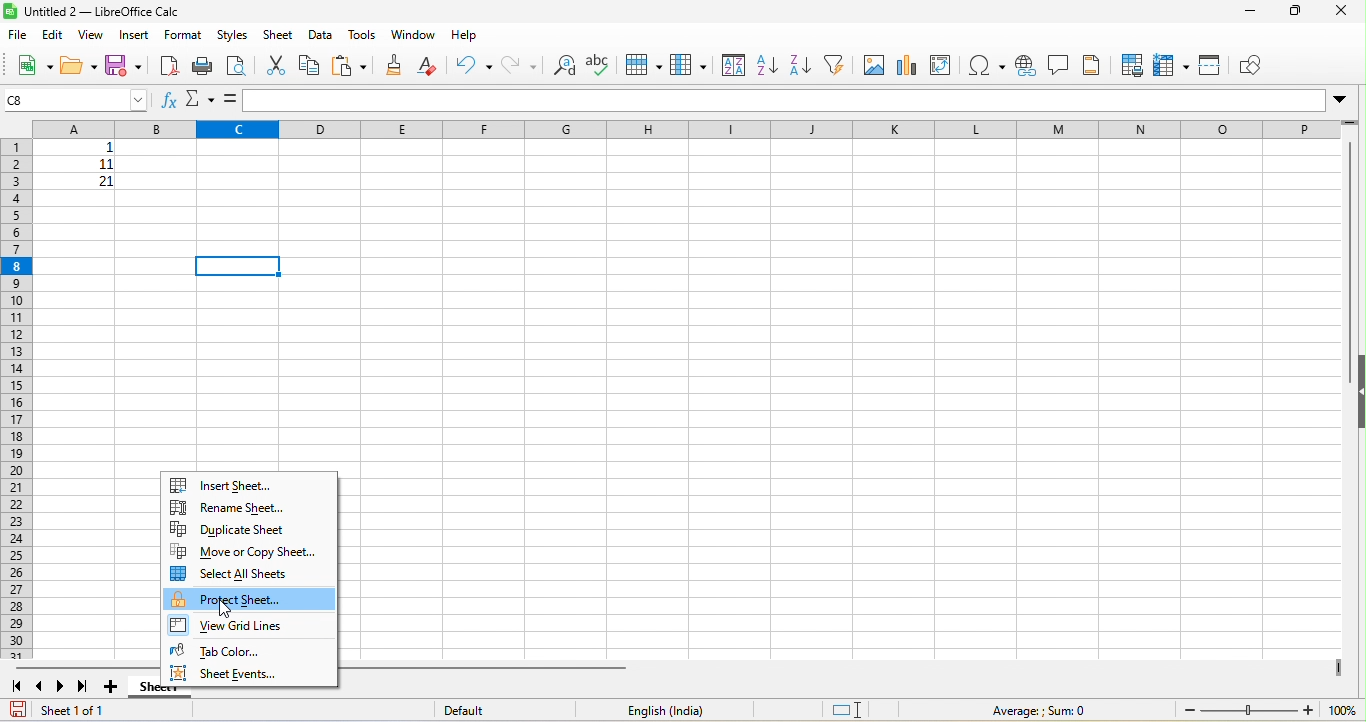 The image size is (1366, 722). What do you see at coordinates (733, 64) in the screenshot?
I see `sort` at bounding box center [733, 64].